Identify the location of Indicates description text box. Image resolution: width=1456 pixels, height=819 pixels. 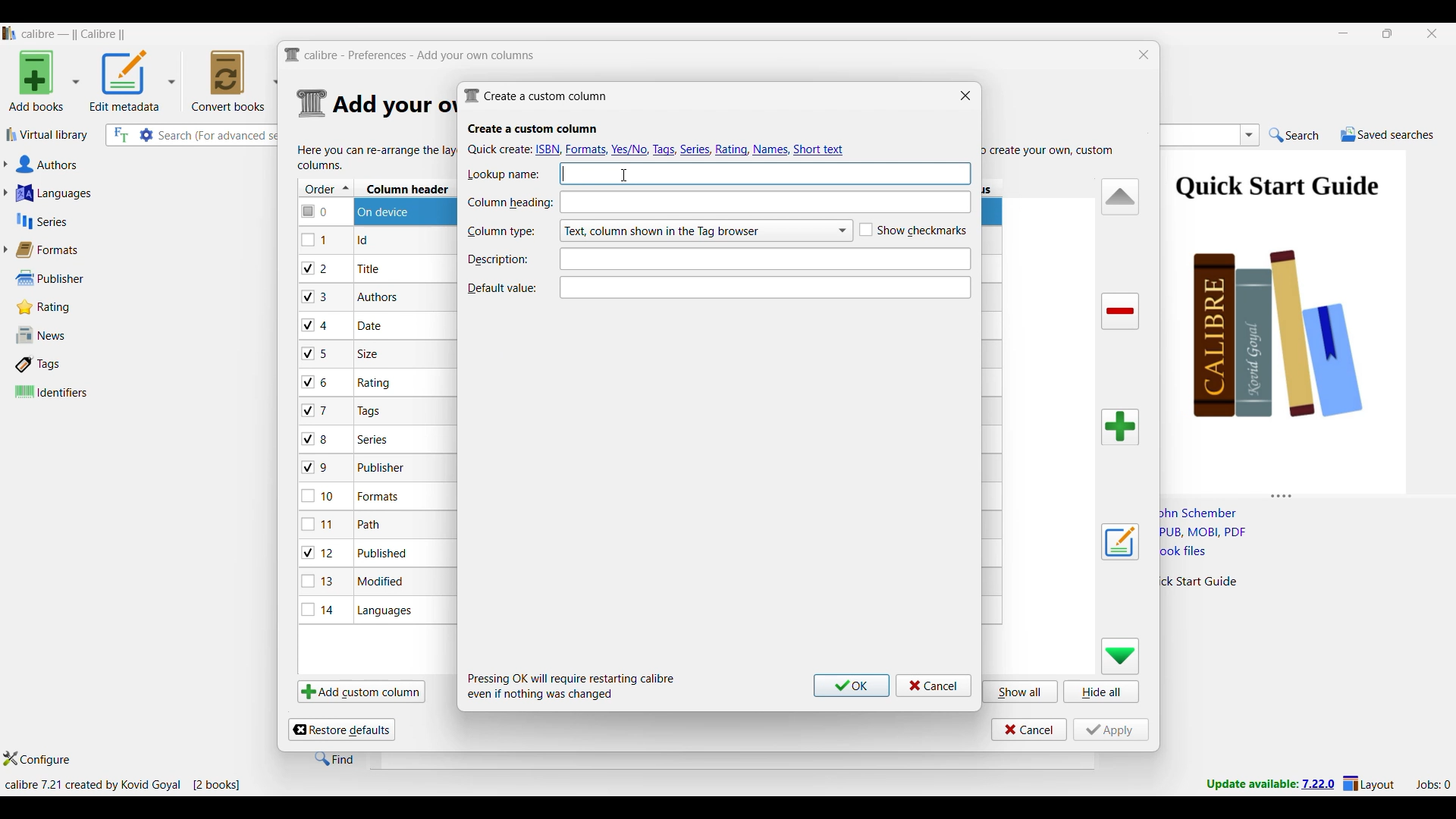
(498, 259).